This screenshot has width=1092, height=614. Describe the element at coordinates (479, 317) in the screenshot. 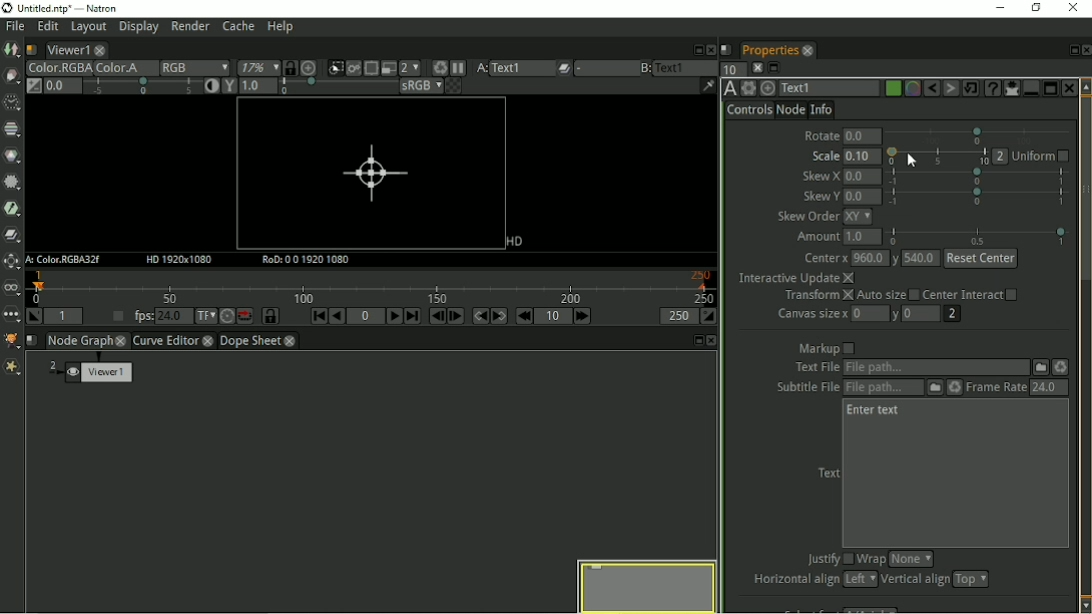

I see `Previous keyframe` at that location.